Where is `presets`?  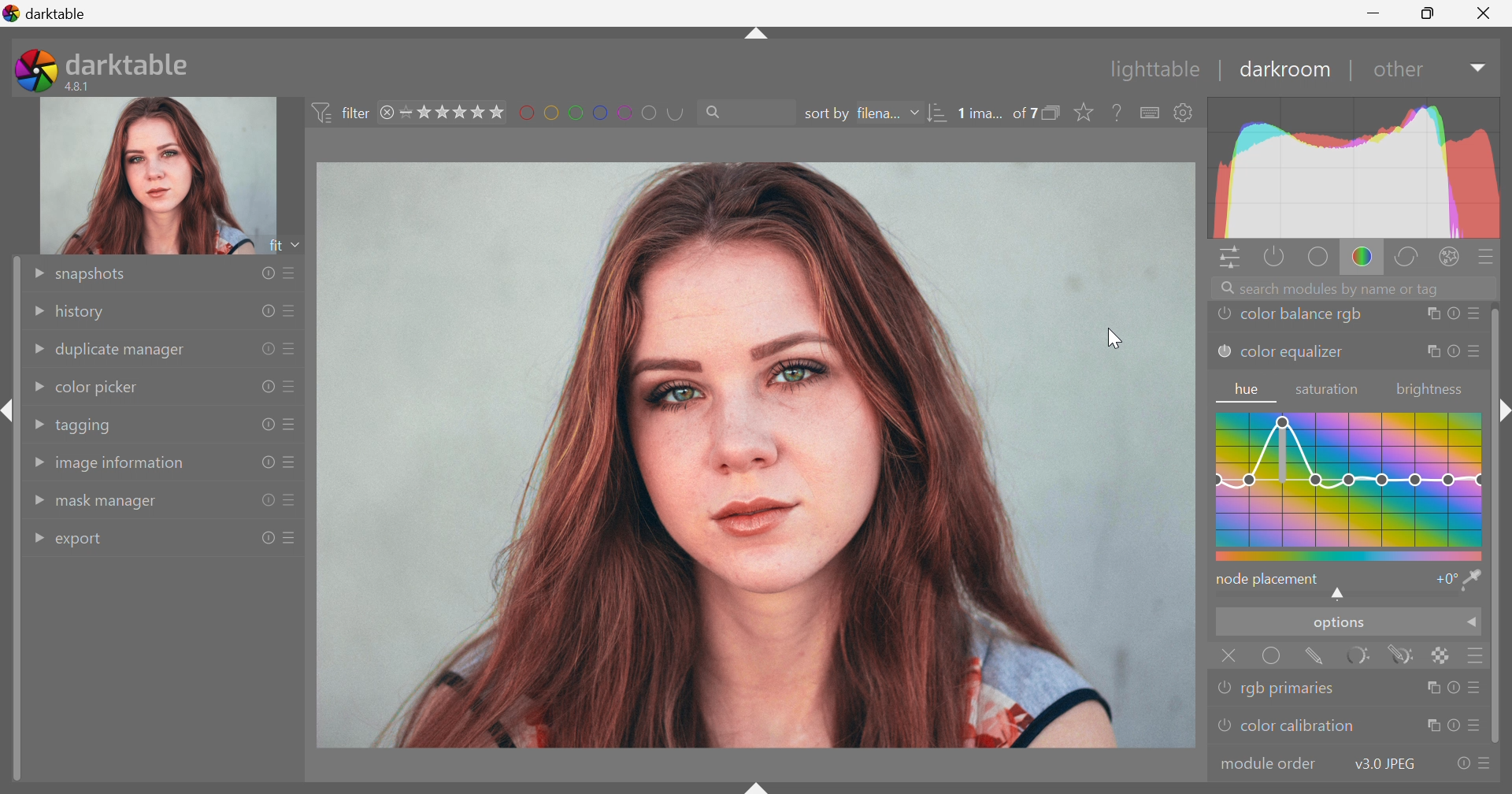
presets is located at coordinates (1488, 256).